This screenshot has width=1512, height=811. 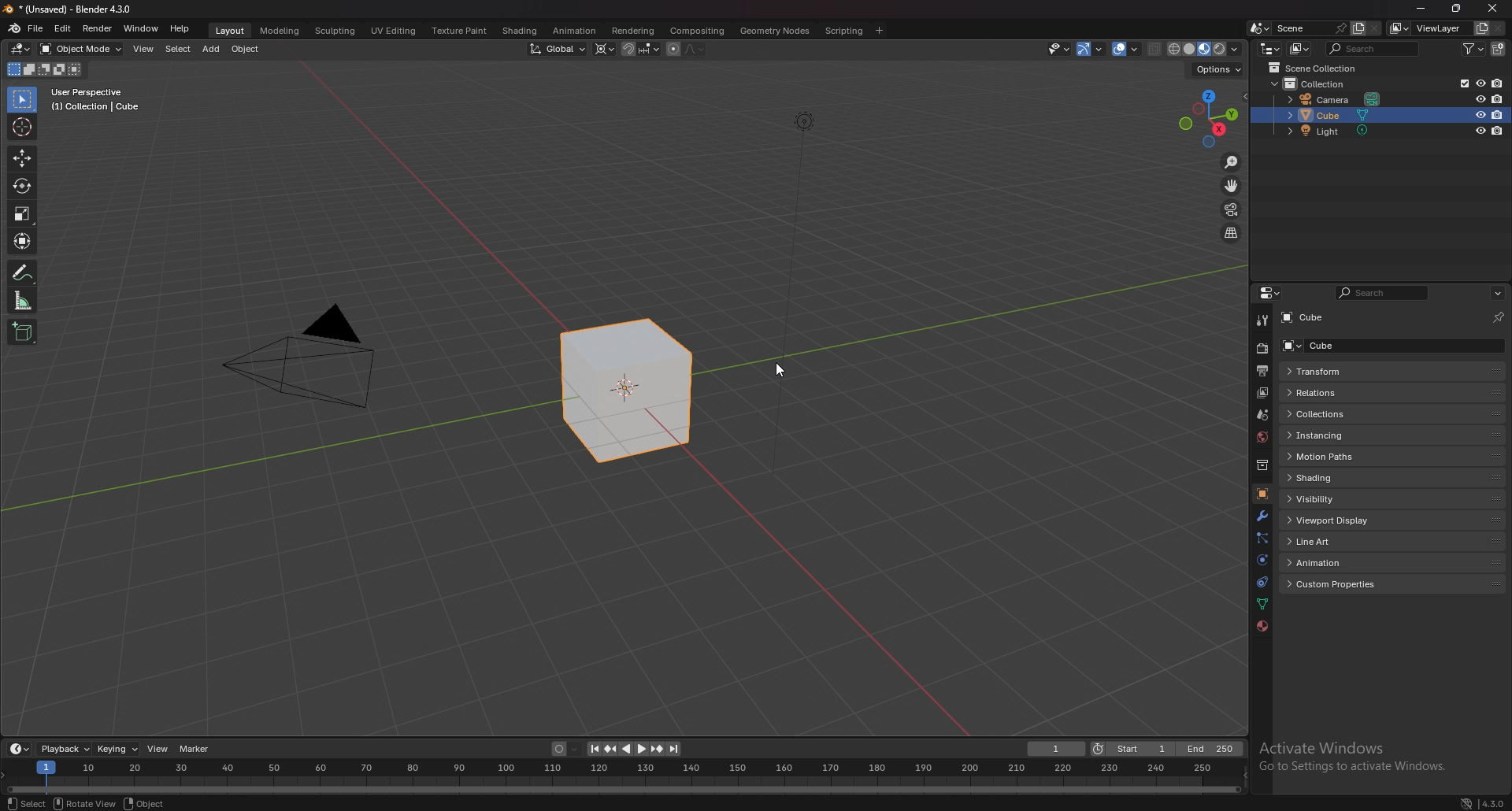 What do you see at coordinates (1332, 498) in the screenshot?
I see `visibility` at bounding box center [1332, 498].